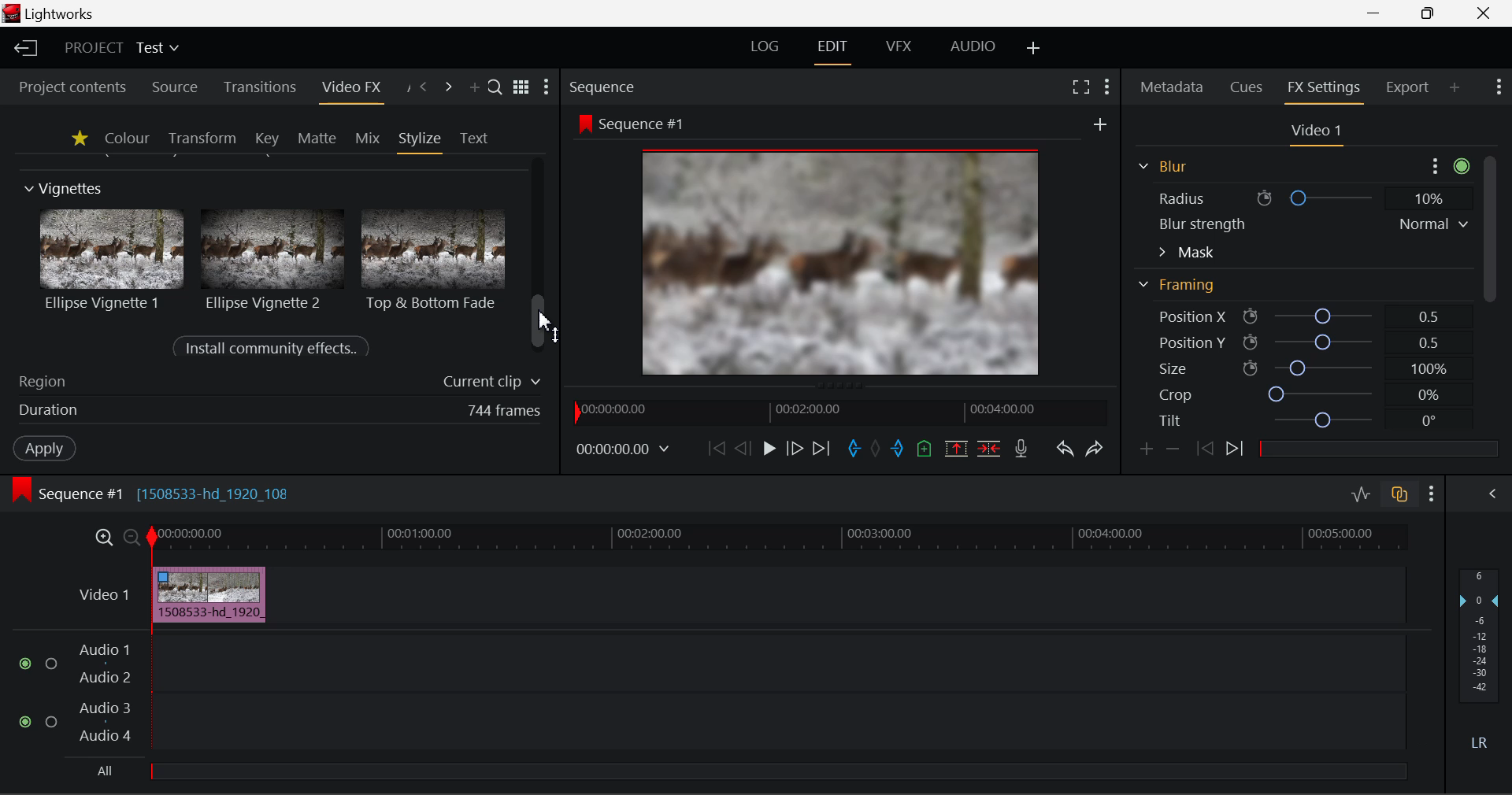 The height and width of the screenshot is (795, 1512). What do you see at coordinates (1161, 165) in the screenshot?
I see `Blur` at bounding box center [1161, 165].